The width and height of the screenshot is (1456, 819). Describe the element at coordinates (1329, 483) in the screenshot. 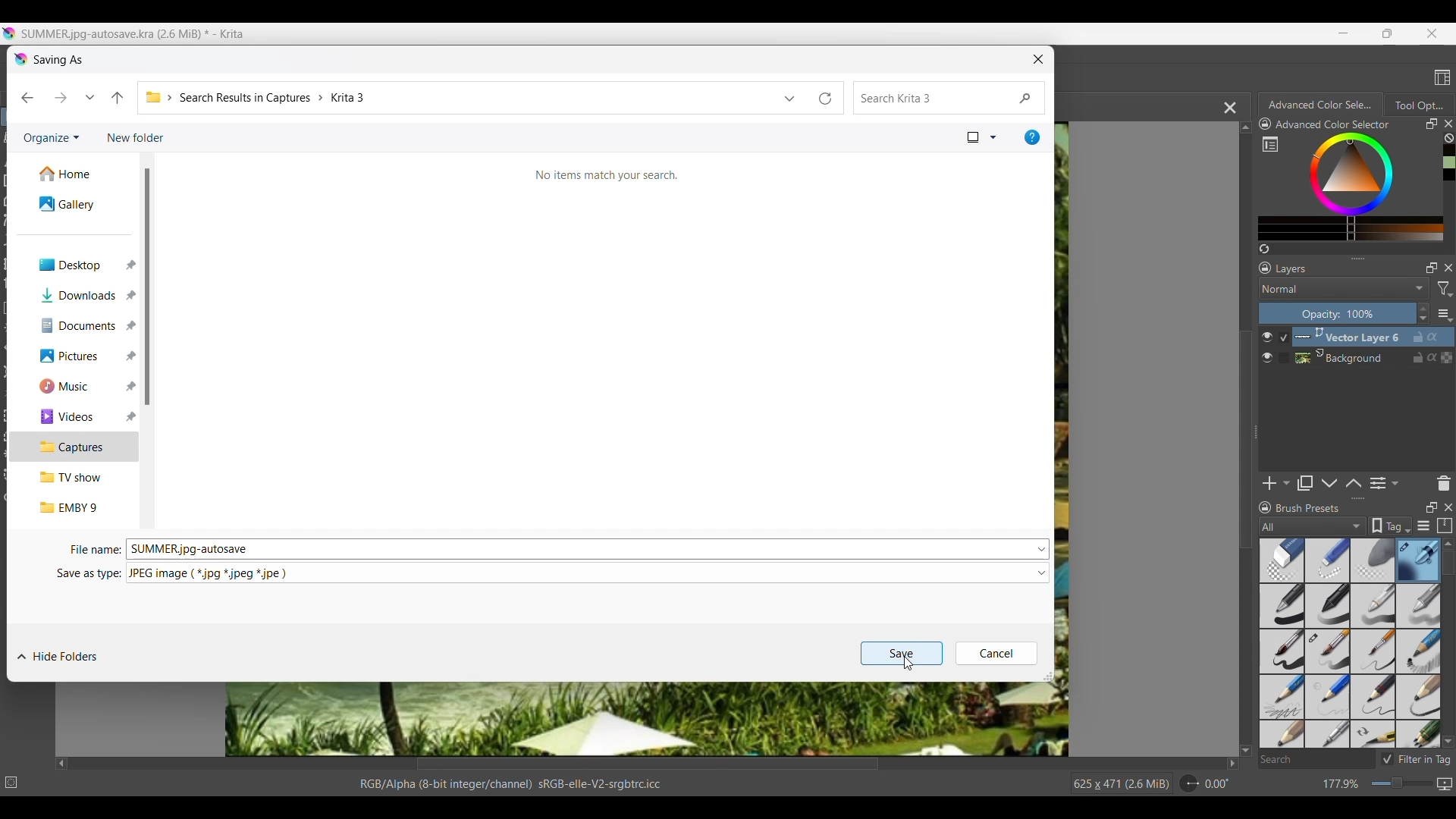

I see `Move layer/mask down` at that location.